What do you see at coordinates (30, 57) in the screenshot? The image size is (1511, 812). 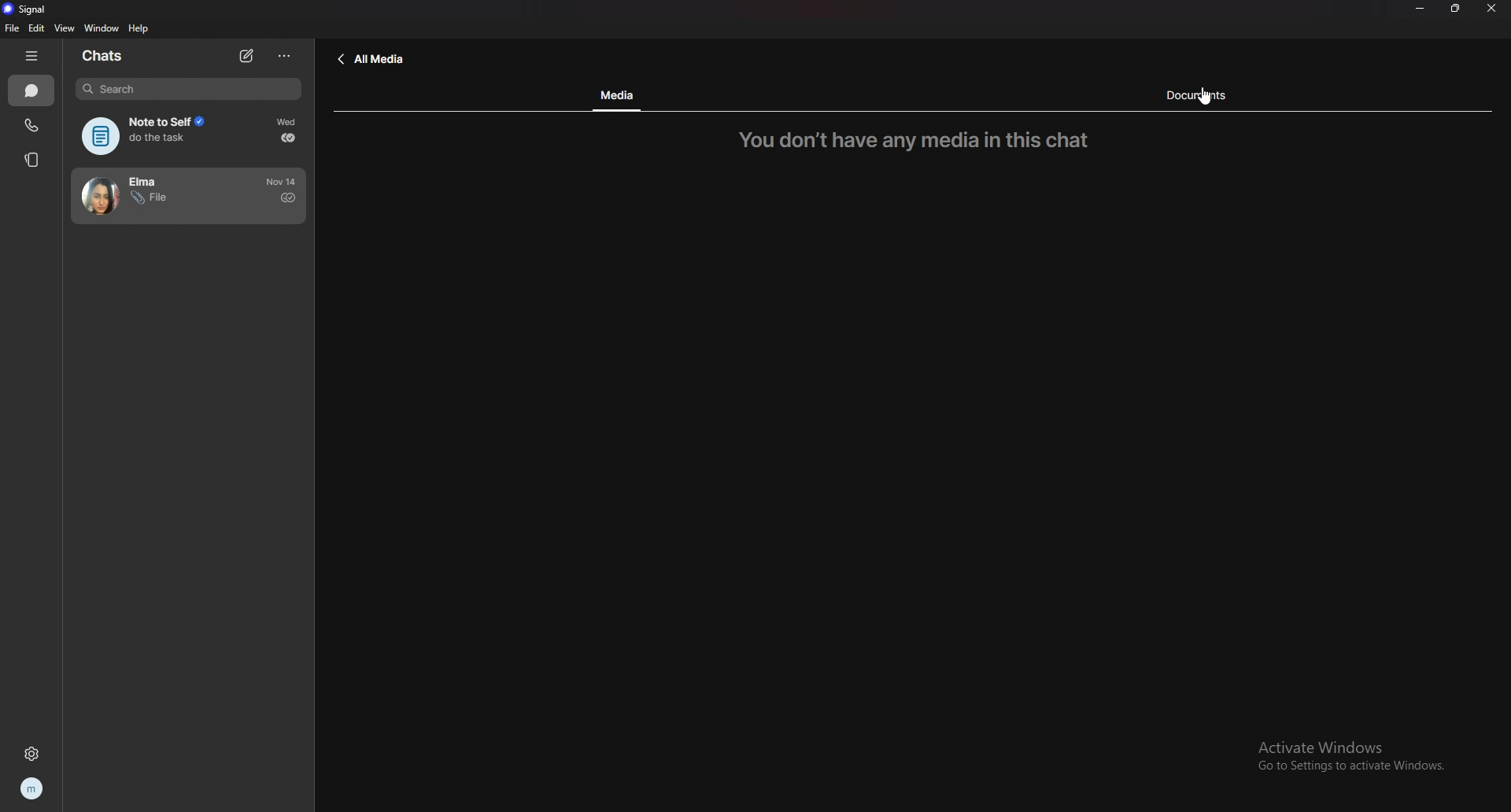 I see `hide tab` at bounding box center [30, 57].